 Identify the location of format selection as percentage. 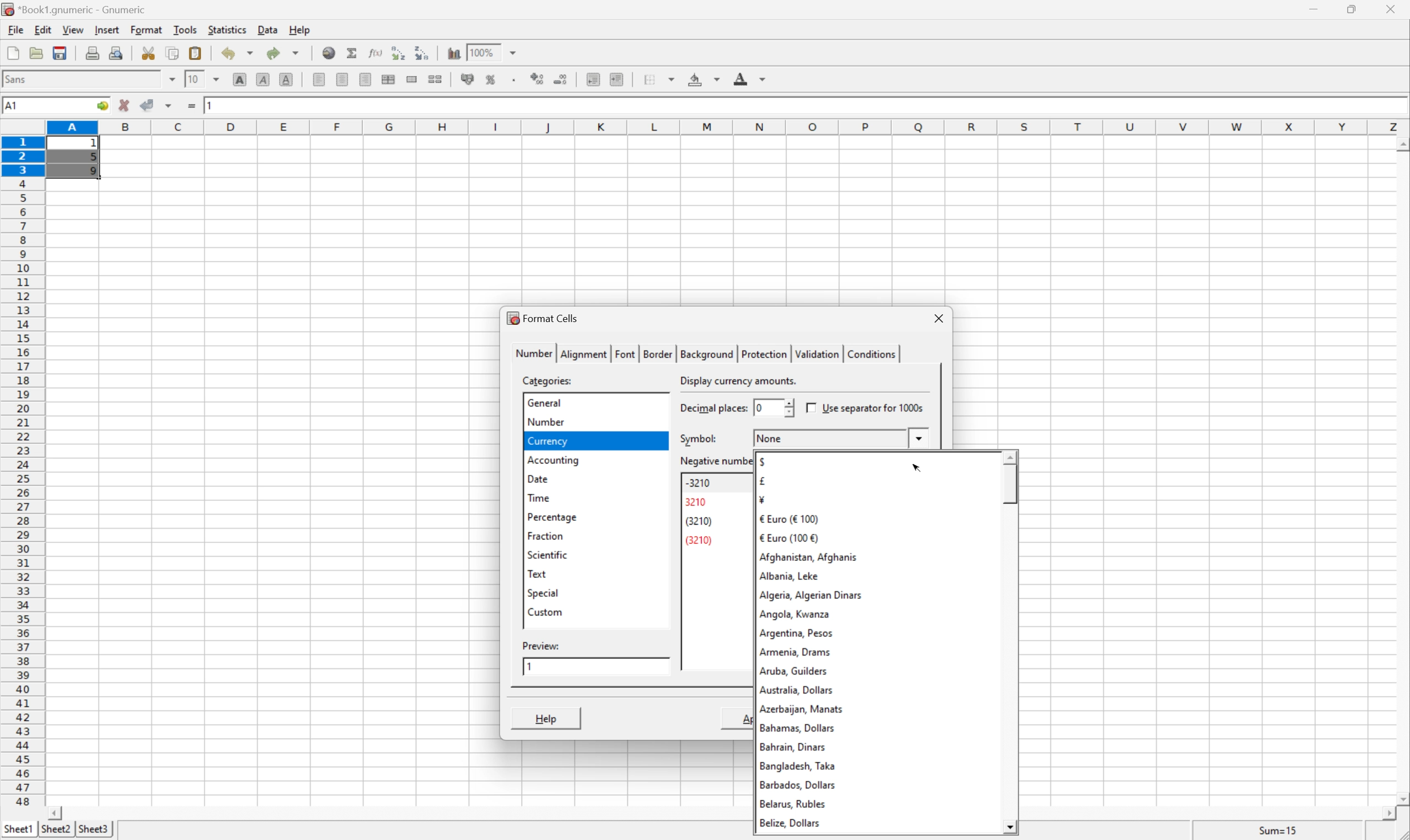
(491, 79).